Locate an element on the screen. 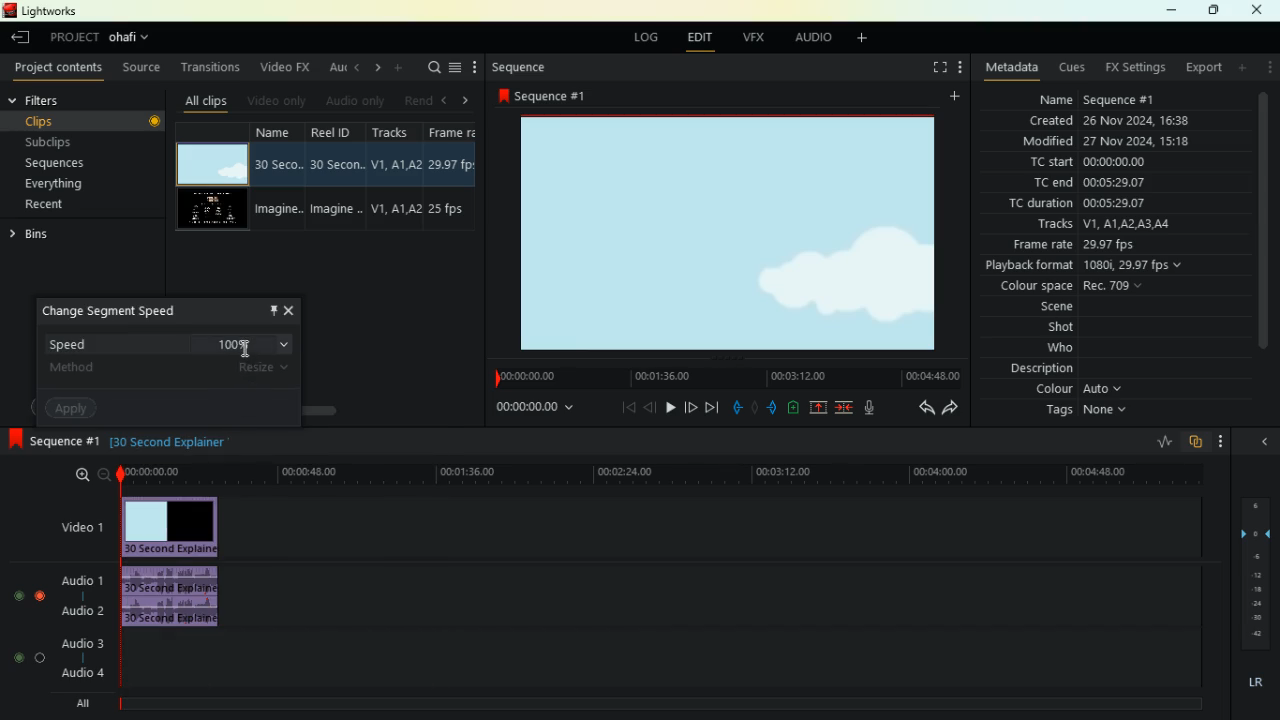 This screenshot has height=720, width=1280. button is located at coordinates (152, 121).